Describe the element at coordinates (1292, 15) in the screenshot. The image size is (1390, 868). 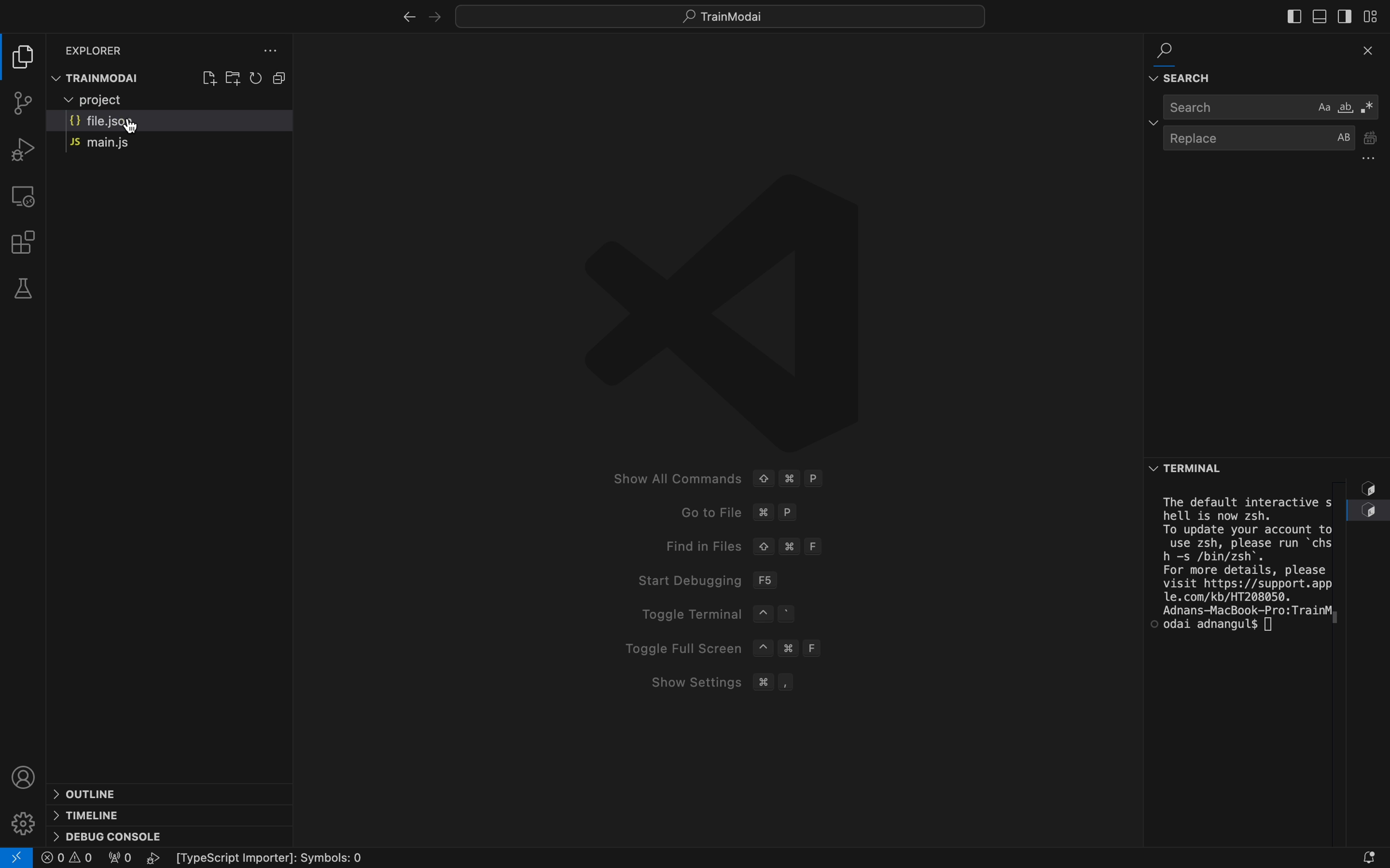
I see `close slide bar` at that location.